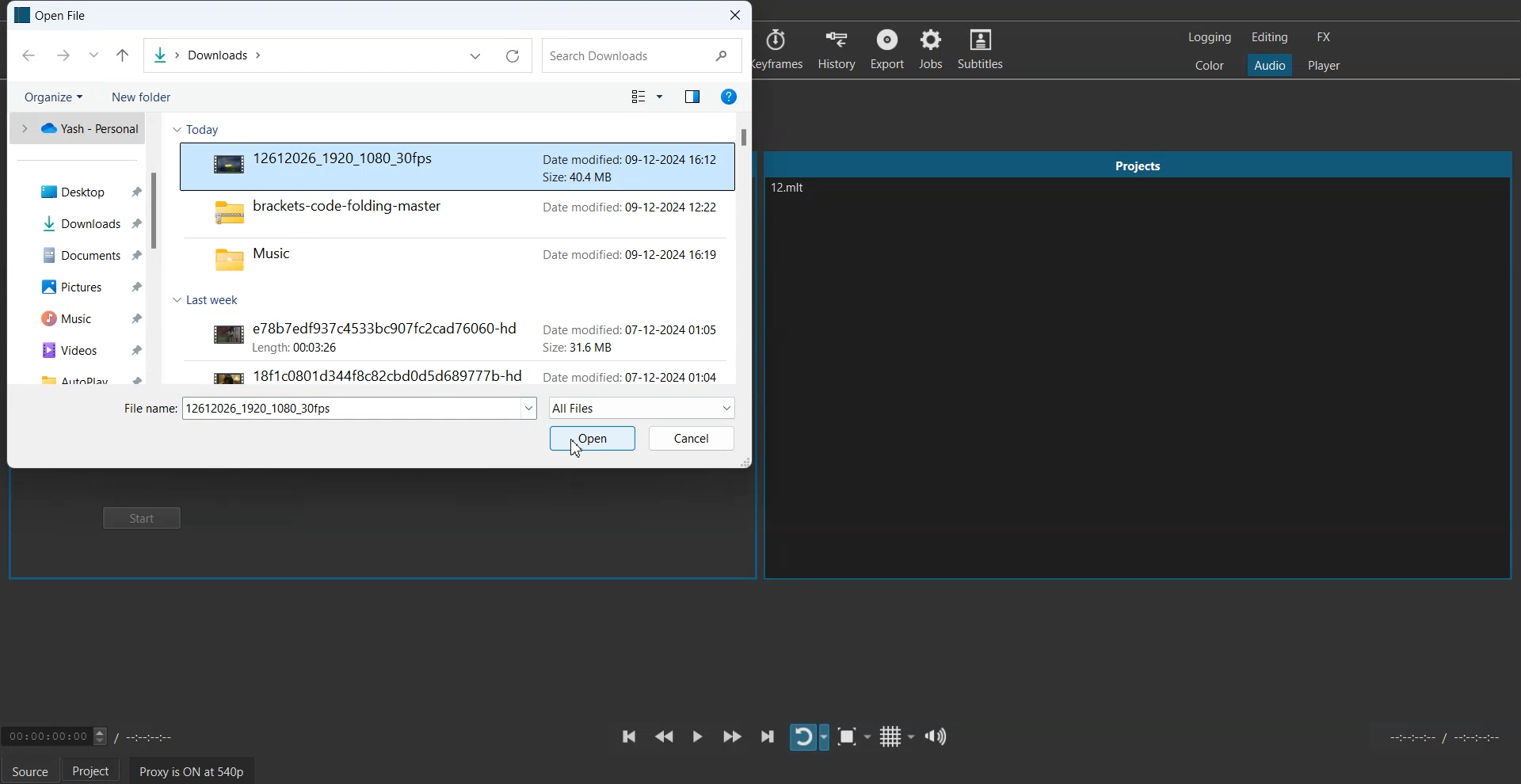  Describe the element at coordinates (458, 166) in the screenshot. I see `Video File` at that location.